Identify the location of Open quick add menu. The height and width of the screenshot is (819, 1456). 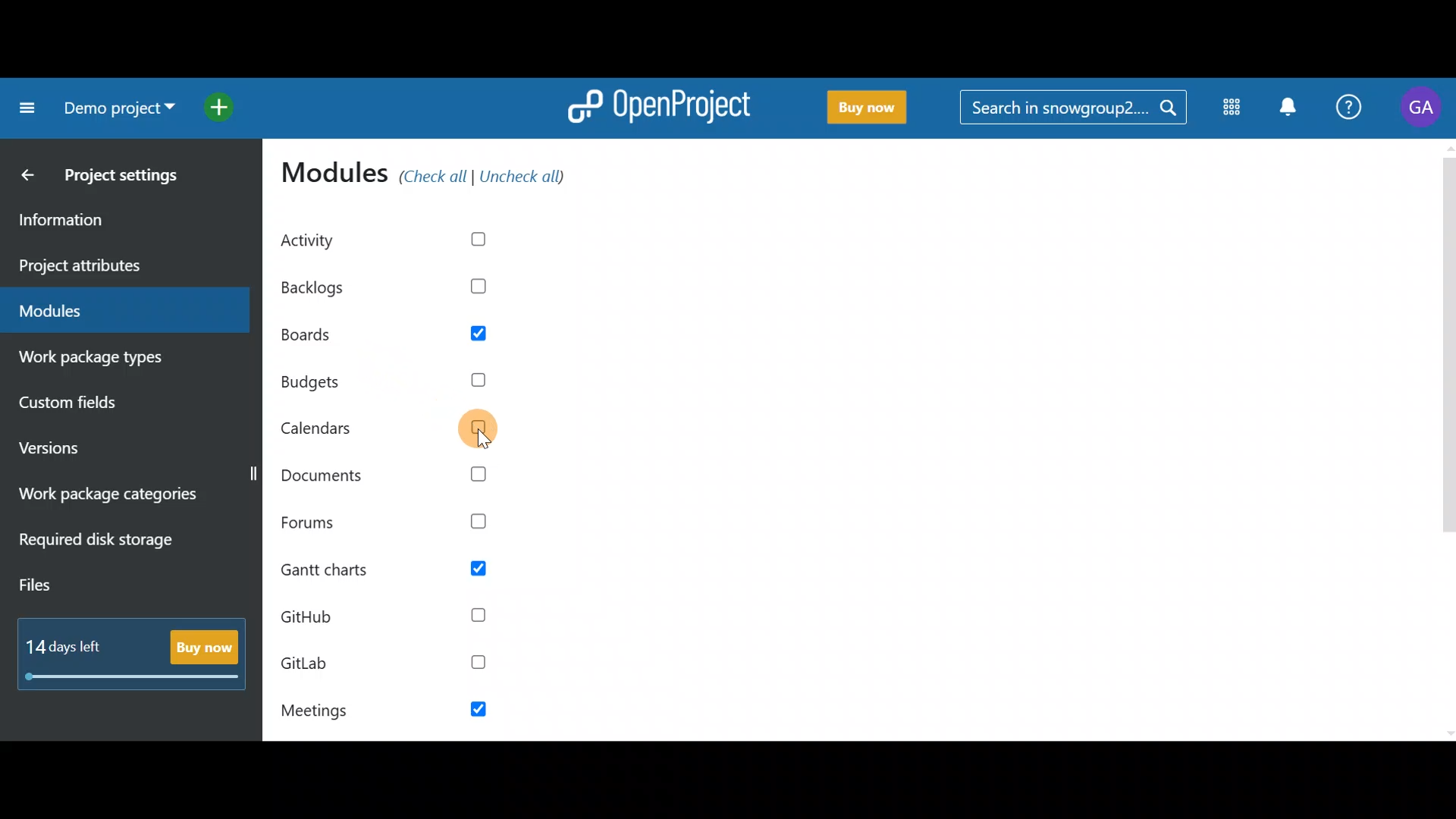
(223, 106).